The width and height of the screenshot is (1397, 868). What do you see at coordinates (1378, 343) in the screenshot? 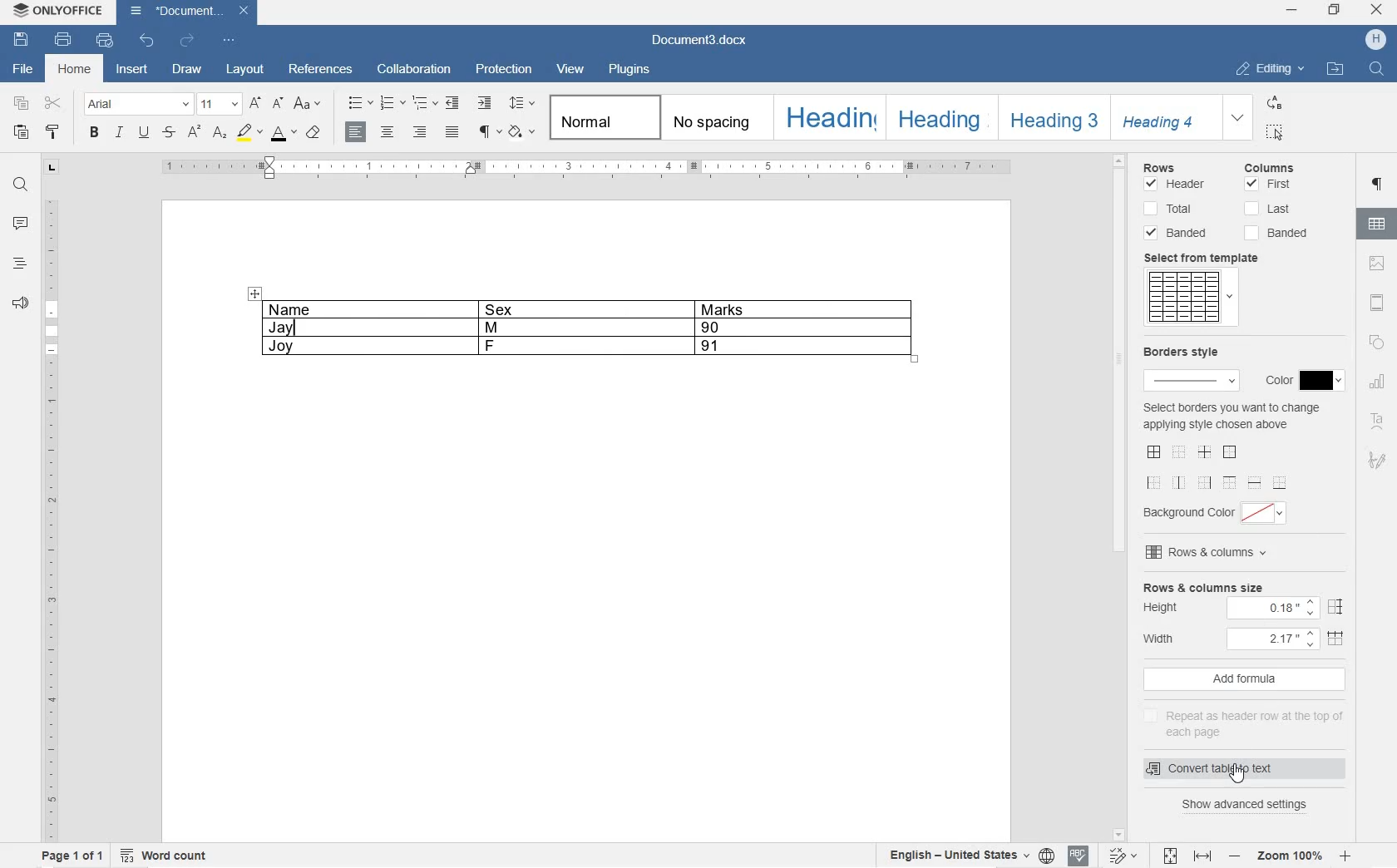
I see `SHAPE` at bounding box center [1378, 343].